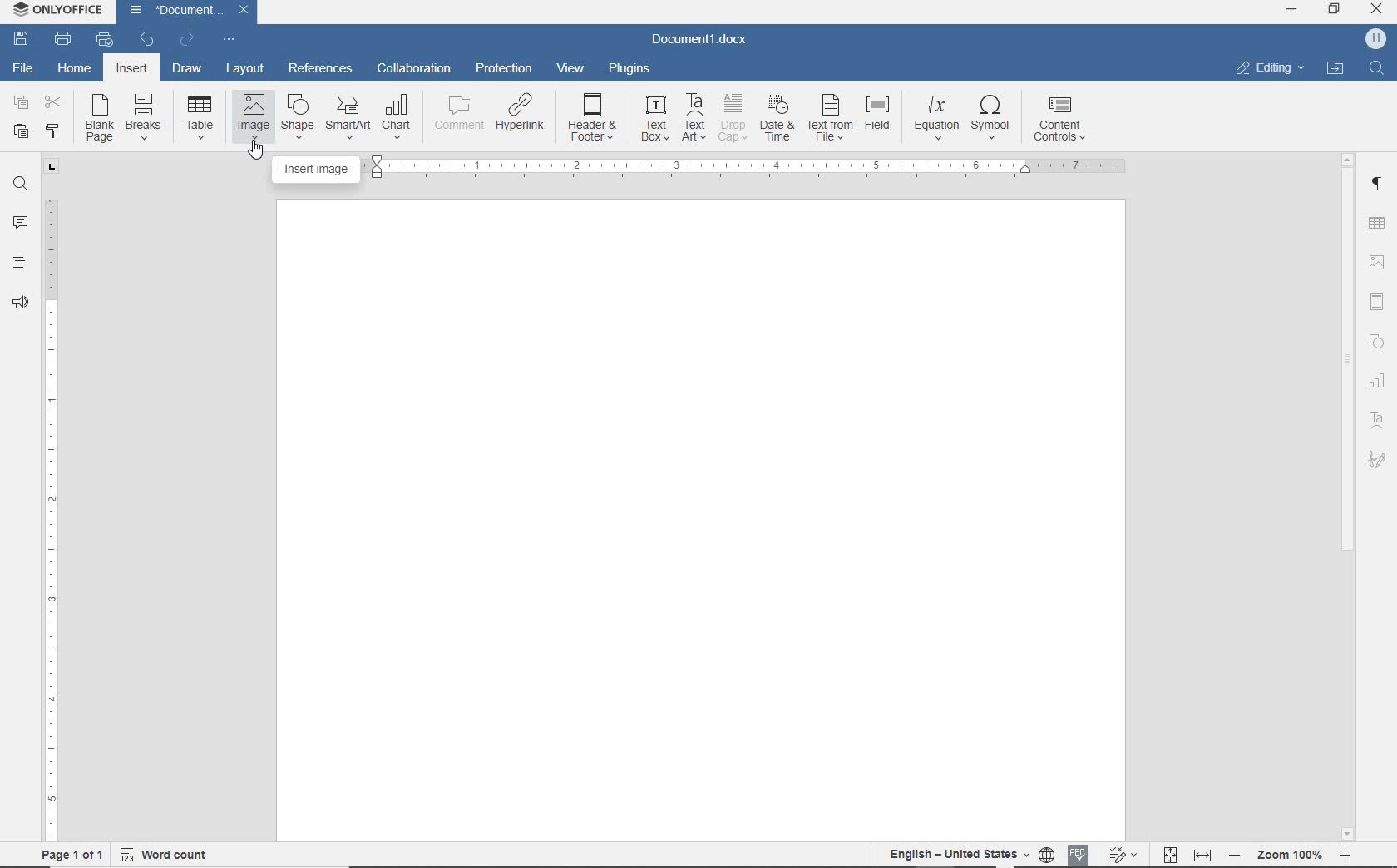  I want to click on text from file, so click(831, 117).